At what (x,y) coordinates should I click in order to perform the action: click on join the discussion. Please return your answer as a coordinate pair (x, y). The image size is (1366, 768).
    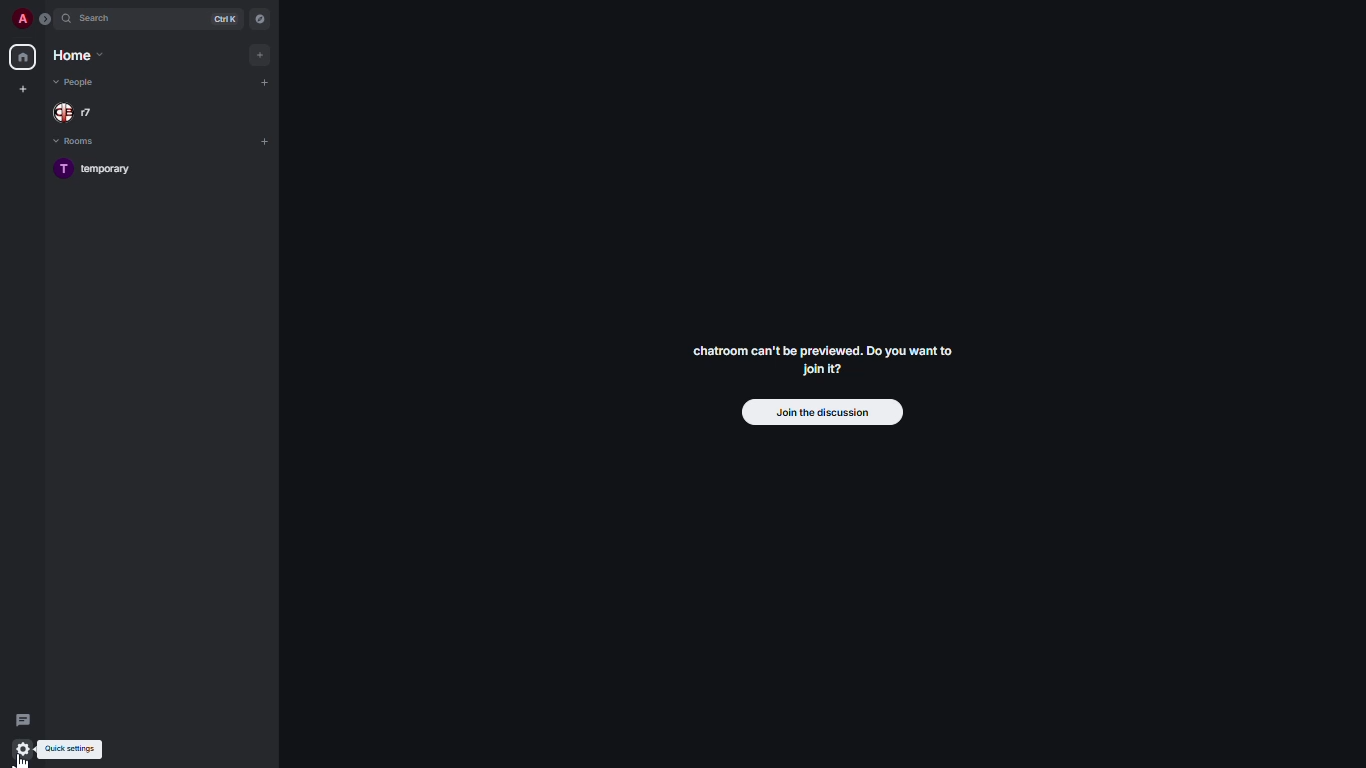
    Looking at the image, I should click on (823, 414).